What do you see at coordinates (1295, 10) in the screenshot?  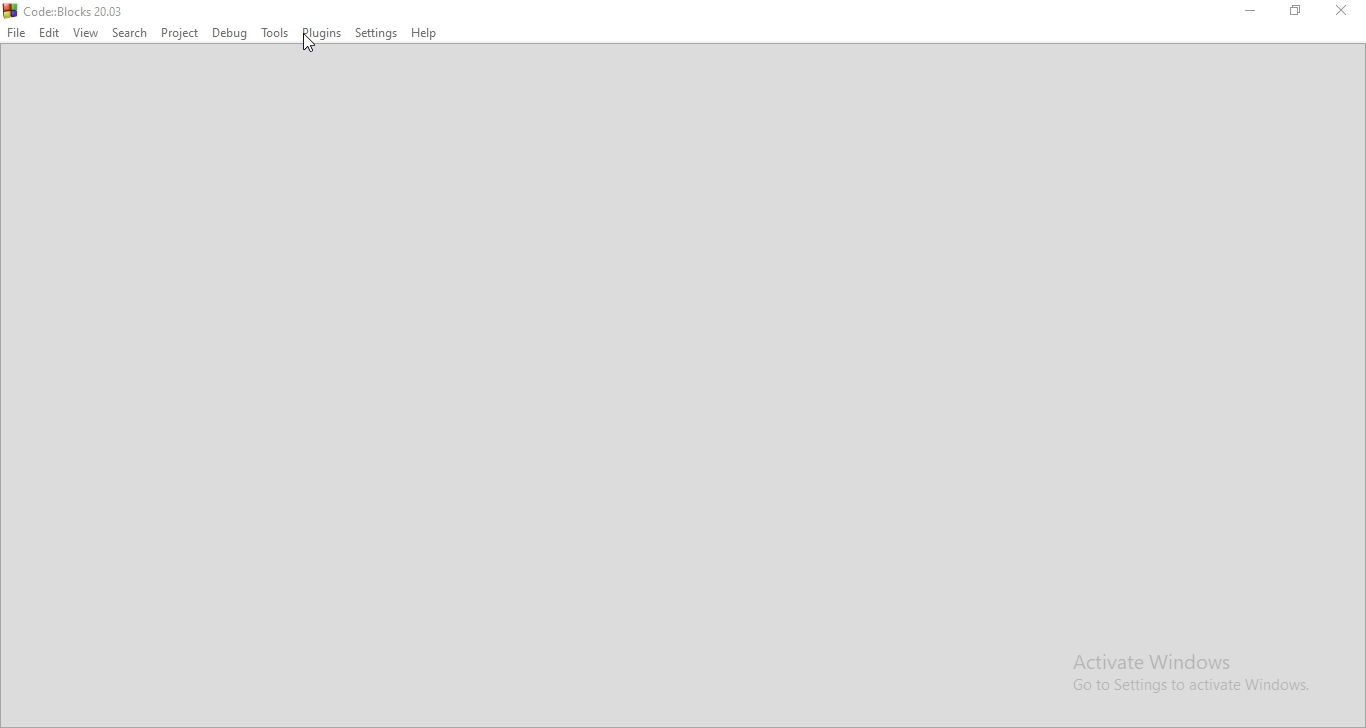 I see `maximize` at bounding box center [1295, 10].